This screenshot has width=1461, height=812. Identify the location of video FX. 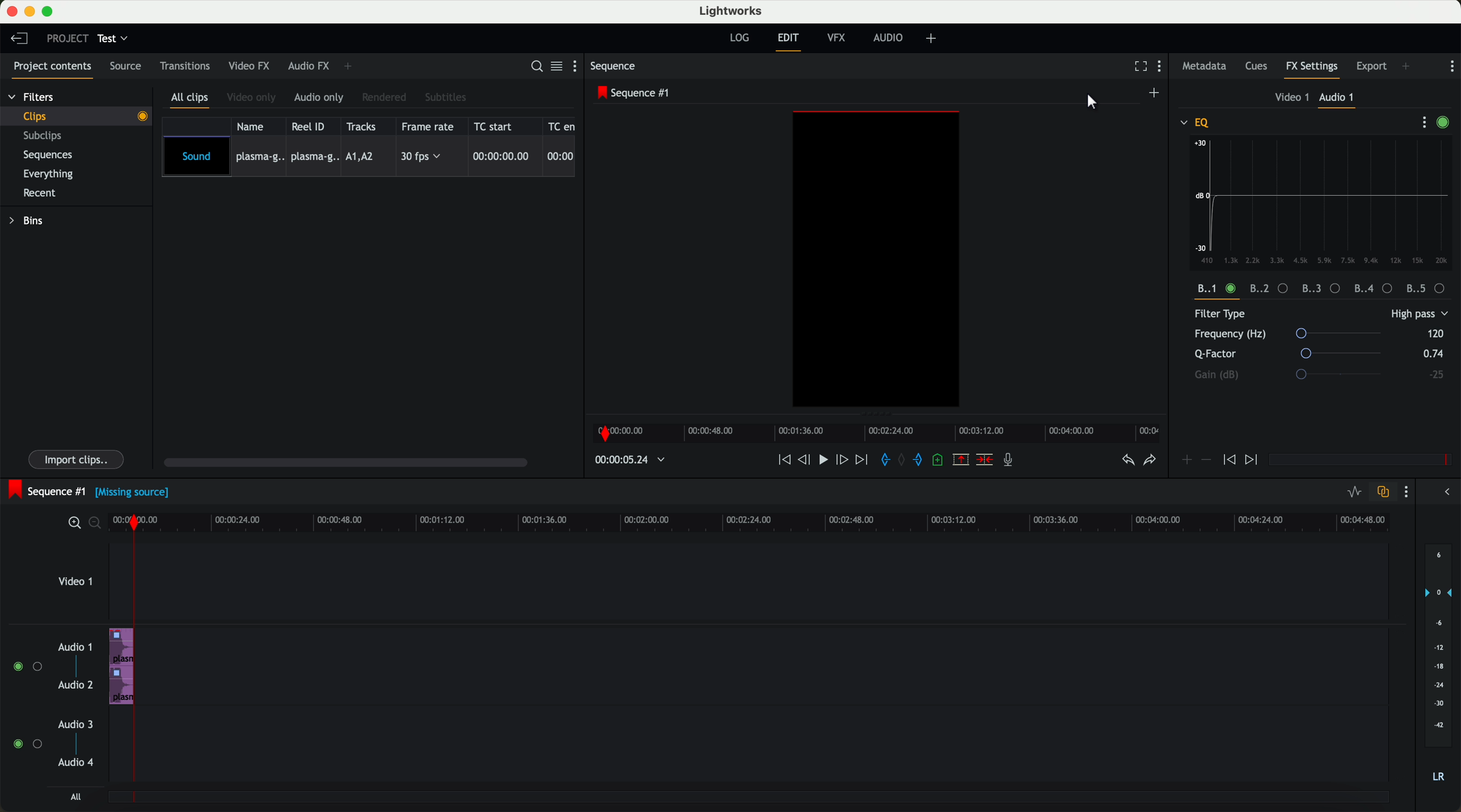
(248, 67).